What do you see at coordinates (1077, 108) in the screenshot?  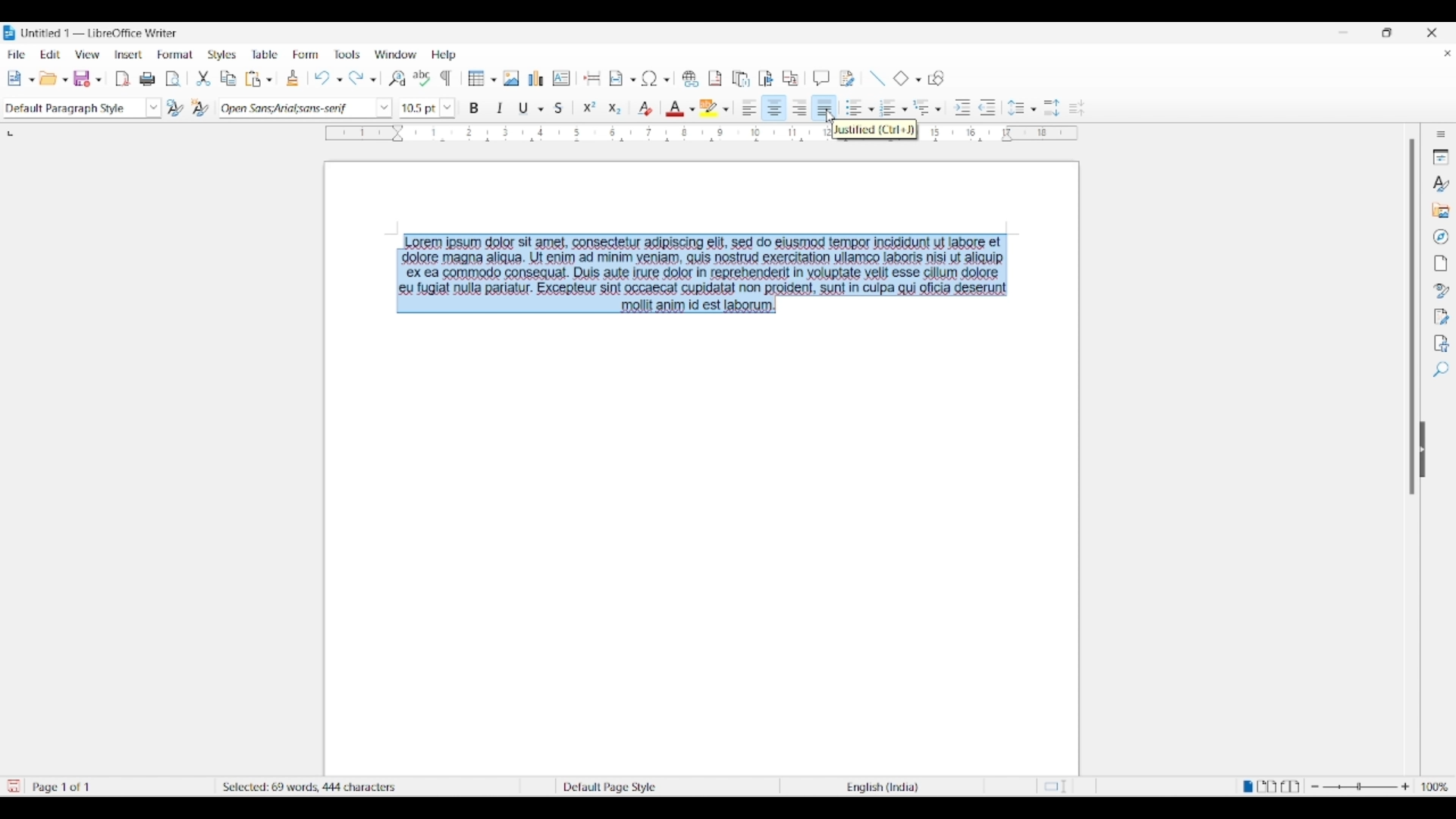 I see `Decrease line spacing` at bounding box center [1077, 108].